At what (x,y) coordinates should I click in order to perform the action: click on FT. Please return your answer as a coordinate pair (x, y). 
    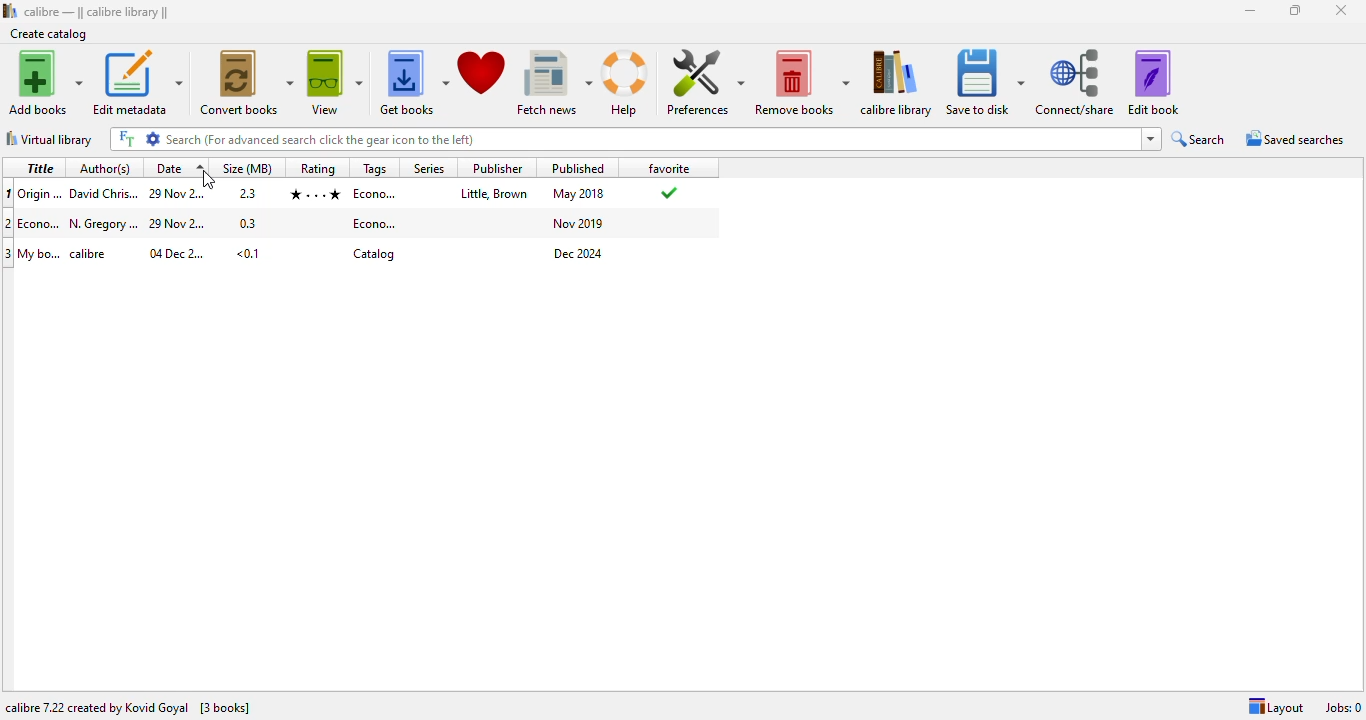
    Looking at the image, I should click on (126, 139).